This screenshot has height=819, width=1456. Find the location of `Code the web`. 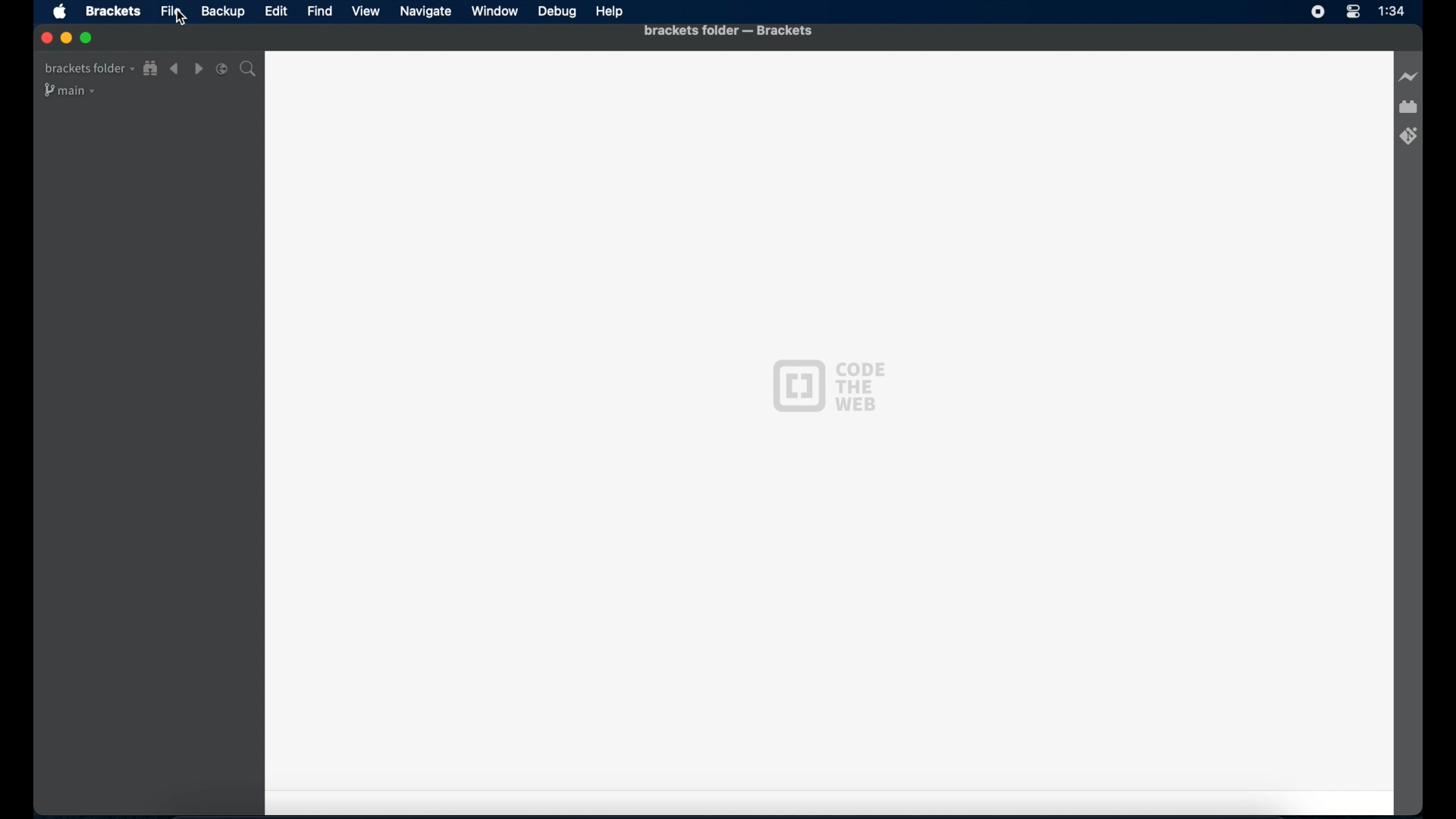

Code the web is located at coordinates (828, 386).